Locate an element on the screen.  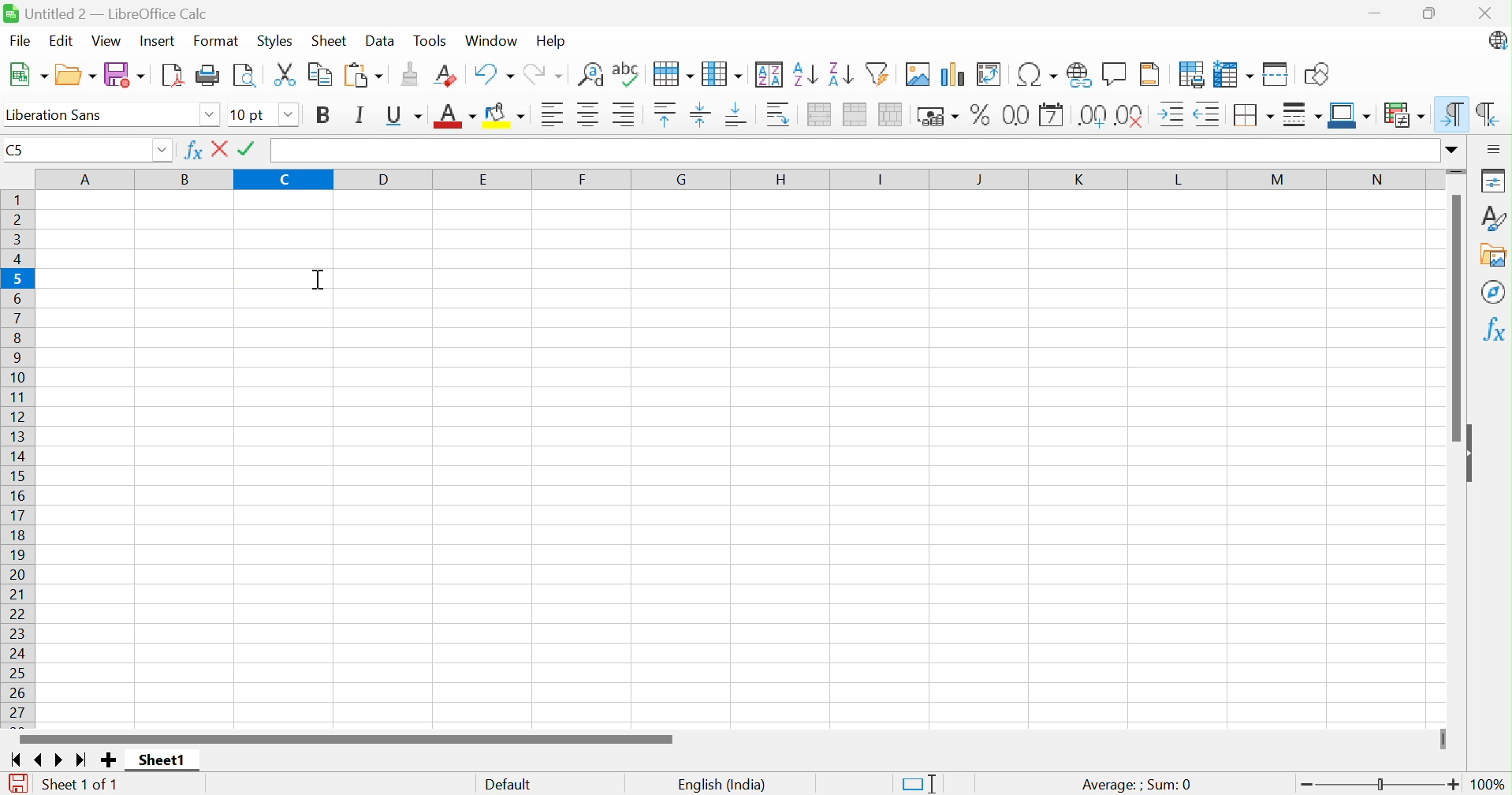
Scroll to next sheet is located at coordinates (61, 760).